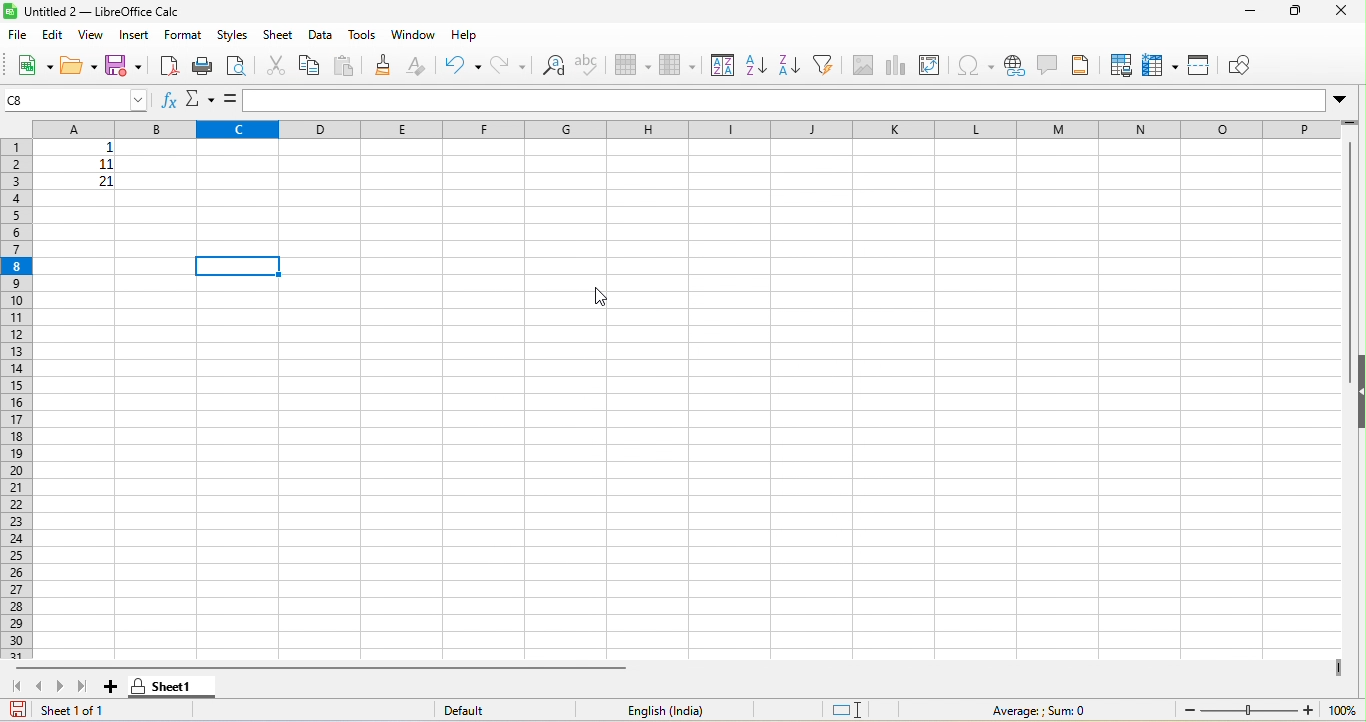 The height and width of the screenshot is (722, 1366). I want to click on select function, so click(201, 99).